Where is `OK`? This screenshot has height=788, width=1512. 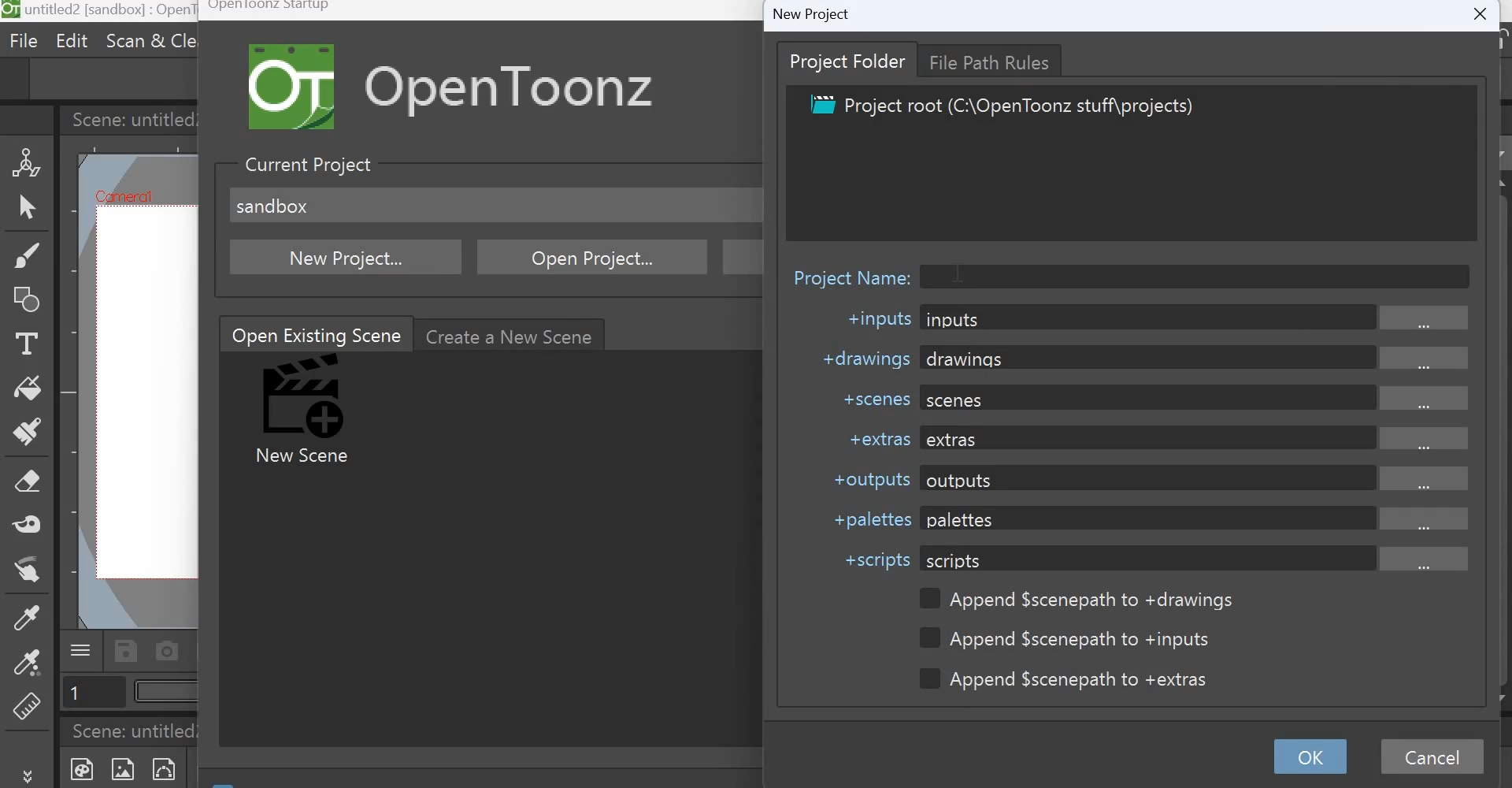 OK is located at coordinates (1308, 756).